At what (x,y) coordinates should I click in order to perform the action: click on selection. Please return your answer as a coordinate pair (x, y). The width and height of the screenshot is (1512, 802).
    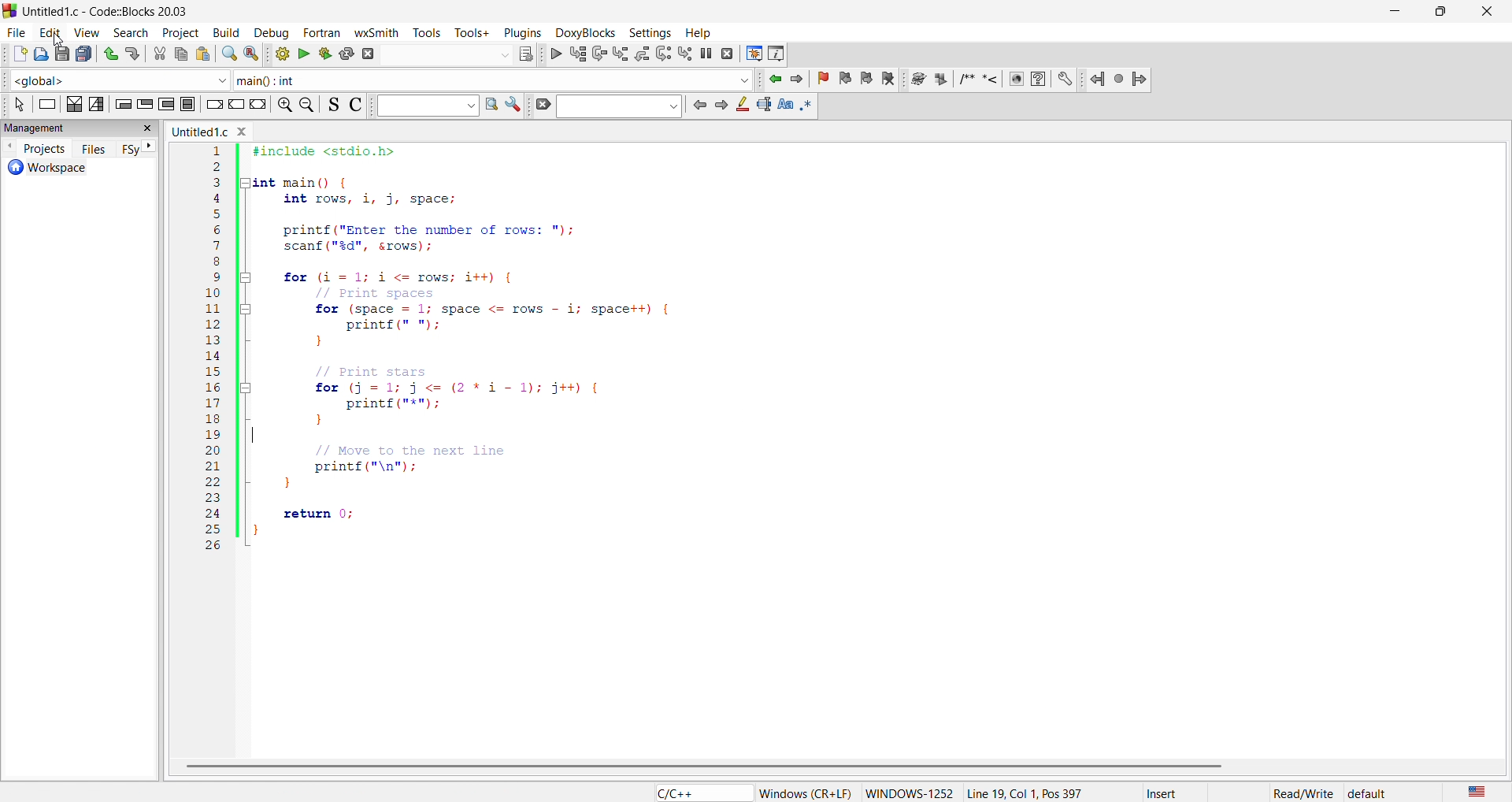
    Looking at the image, I should click on (98, 105).